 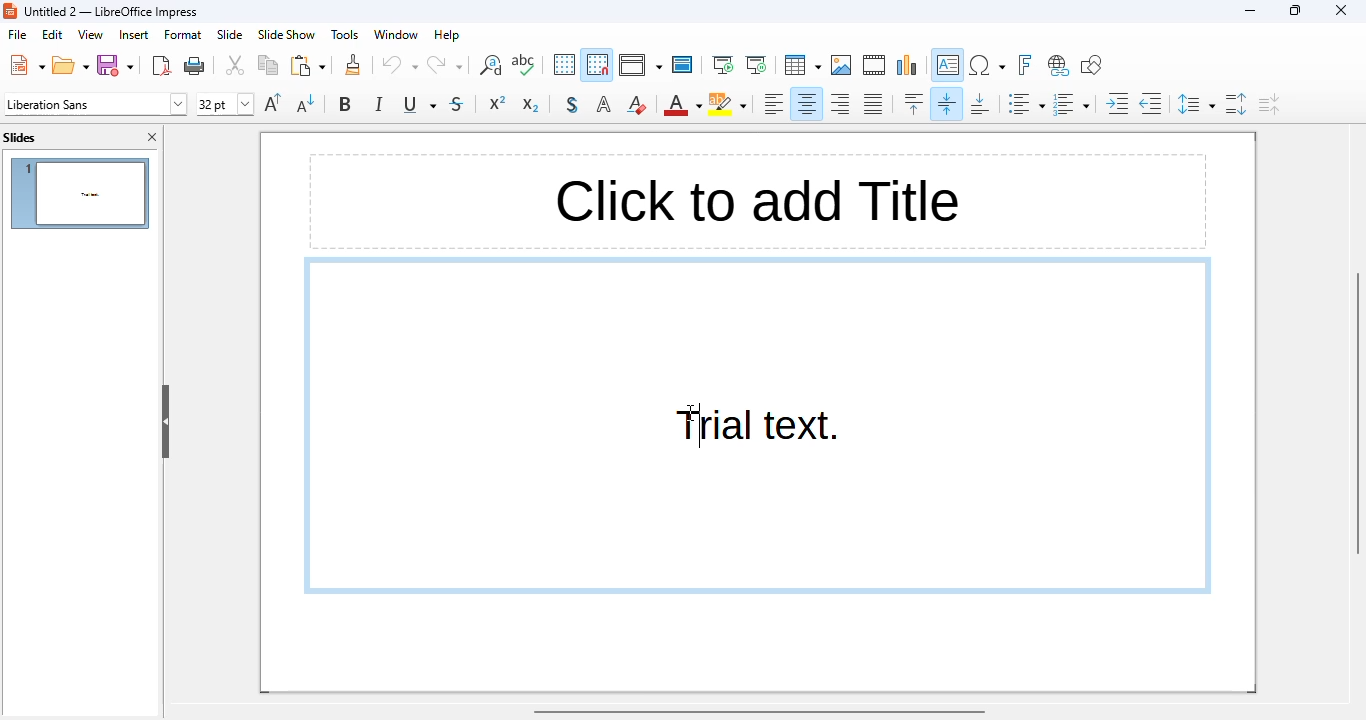 What do you see at coordinates (806, 104) in the screenshot?
I see `align center` at bounding box center [806, 104].